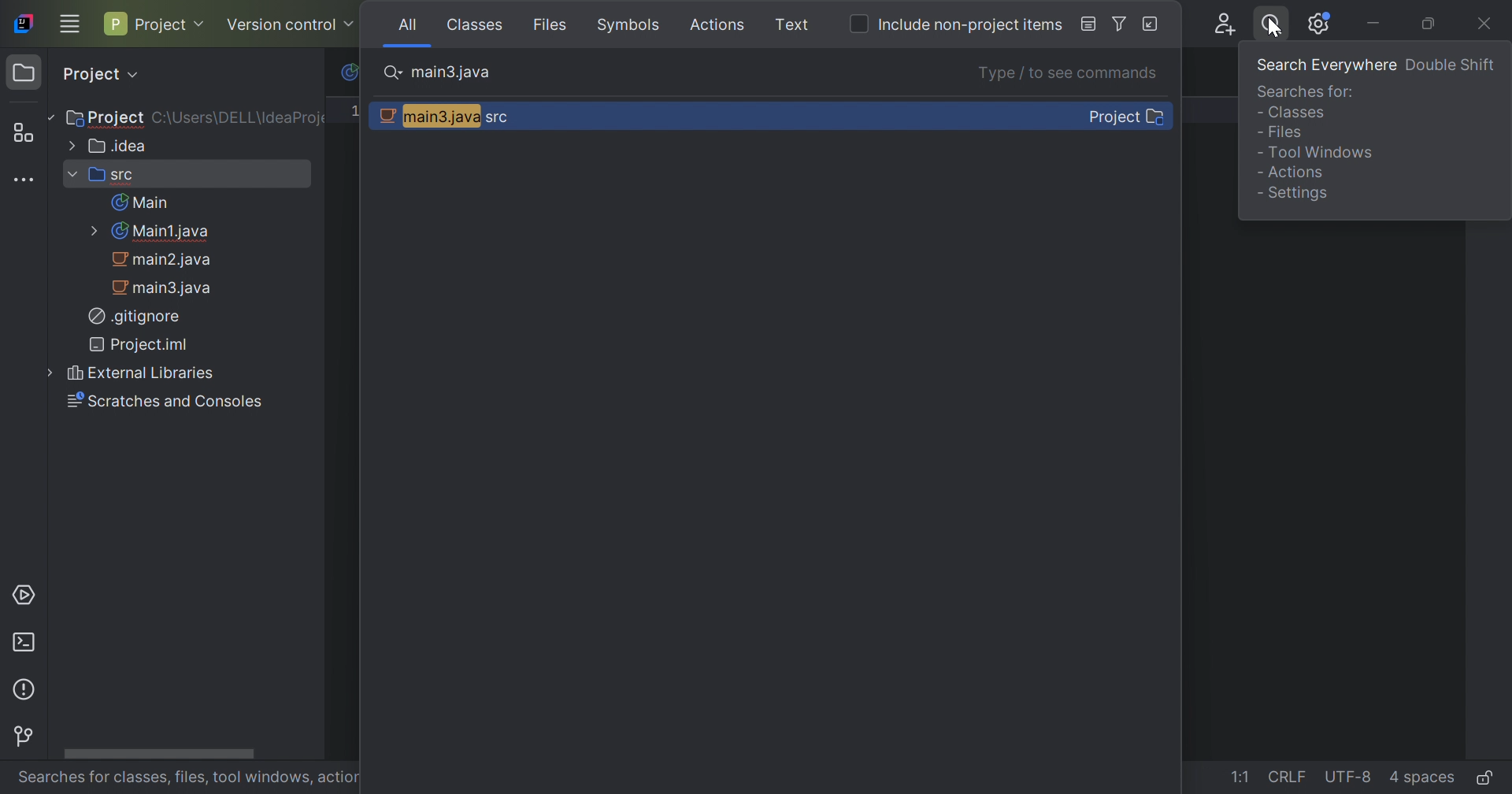  I want to click on Project, so click(102, 75).